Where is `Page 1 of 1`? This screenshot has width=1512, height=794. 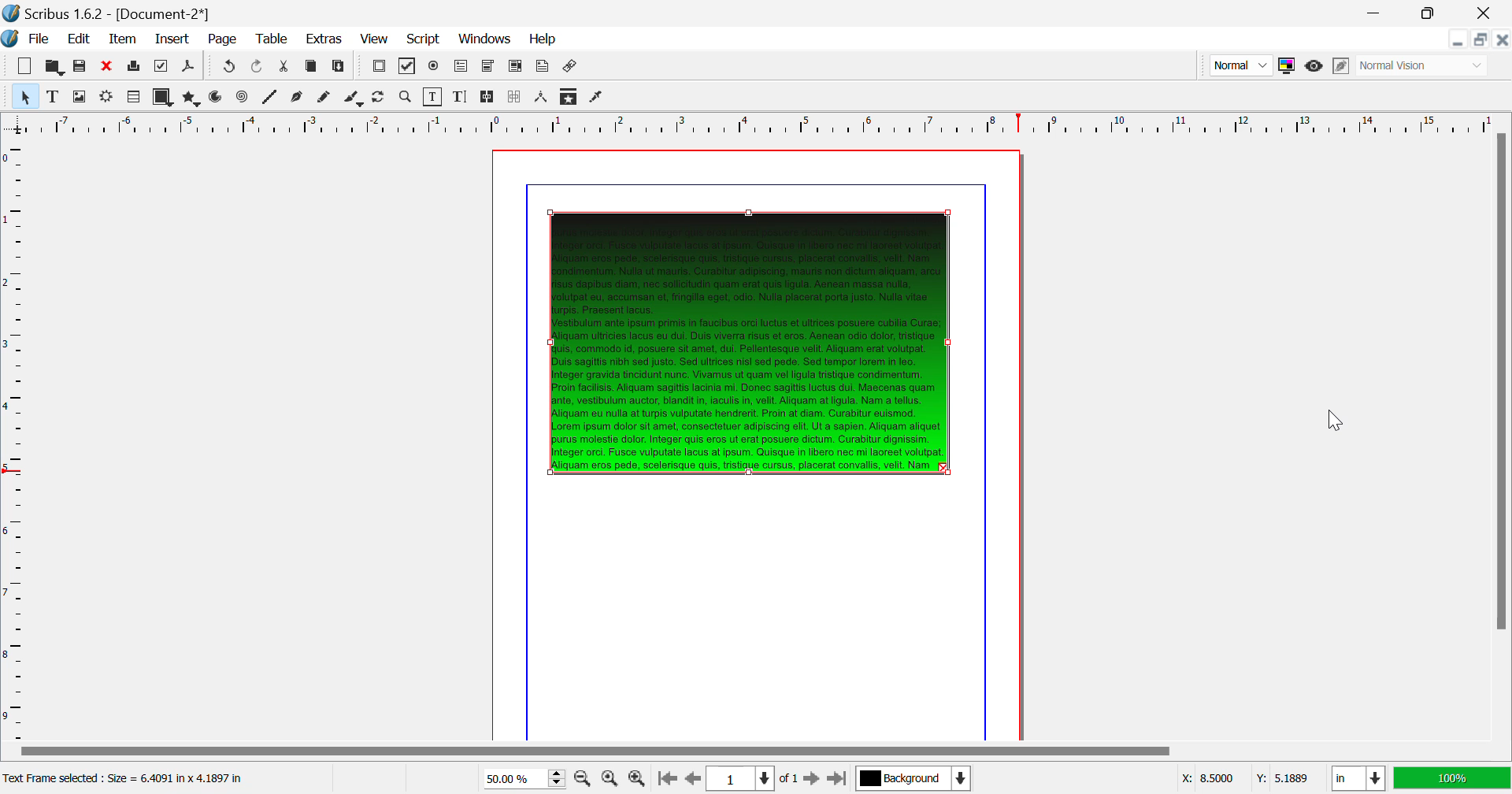 Page 1 of 1 is located at coordinates (750, 778).